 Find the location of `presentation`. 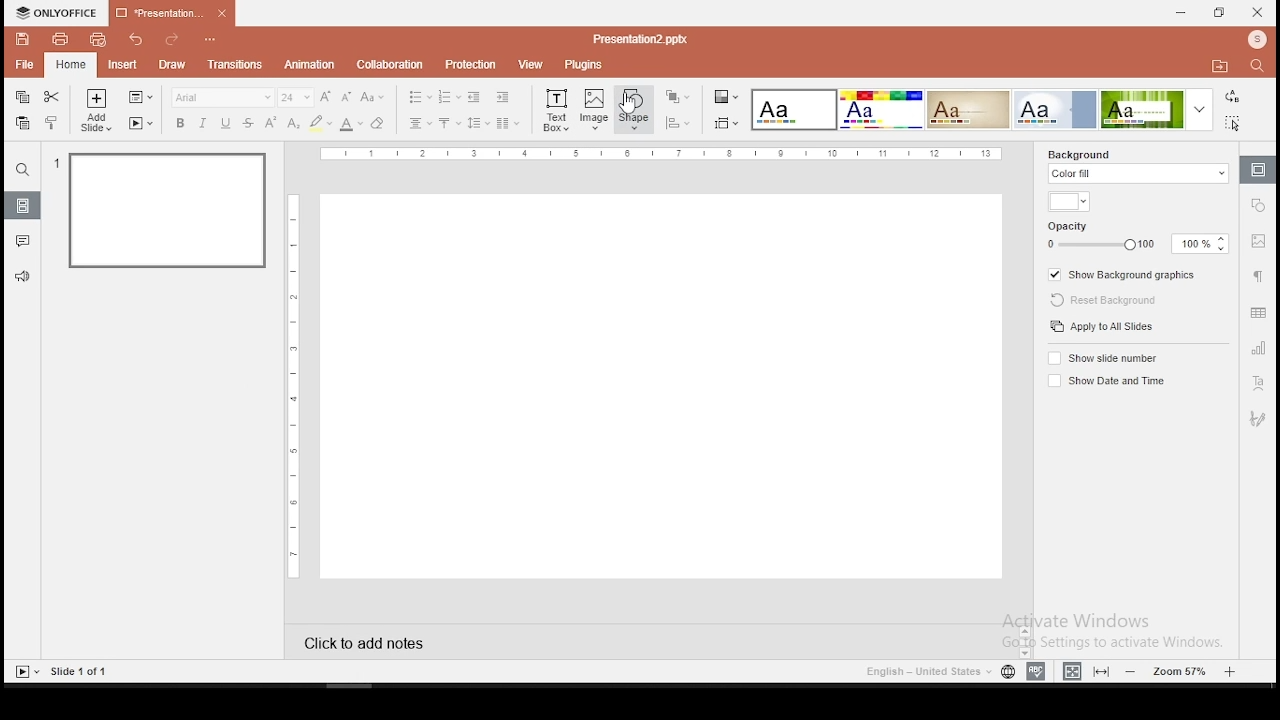

presentation is located at coordinates (172, 12).